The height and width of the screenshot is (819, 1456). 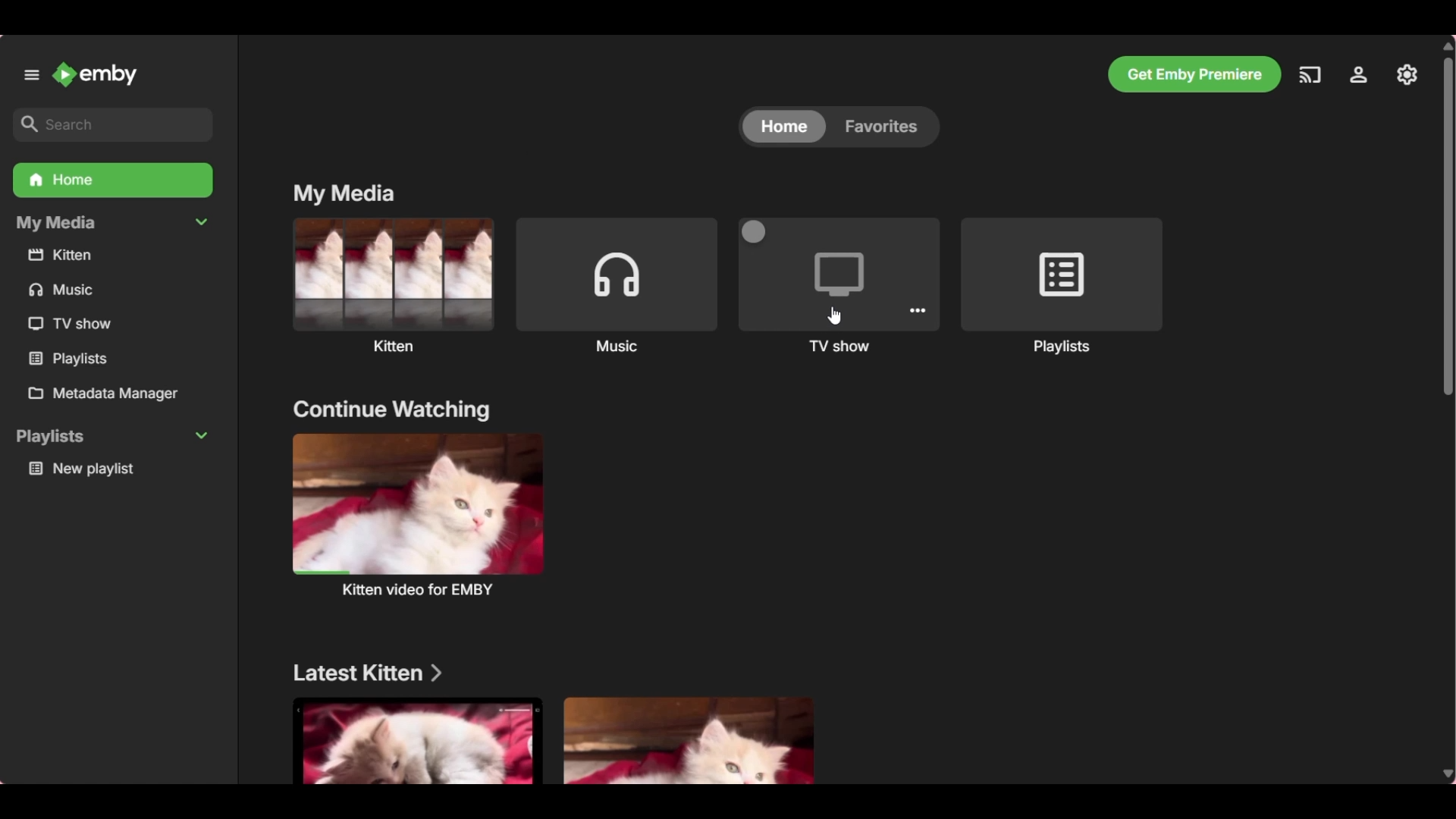 I want to click on Media files under My Media, so click(x=67, y=290).